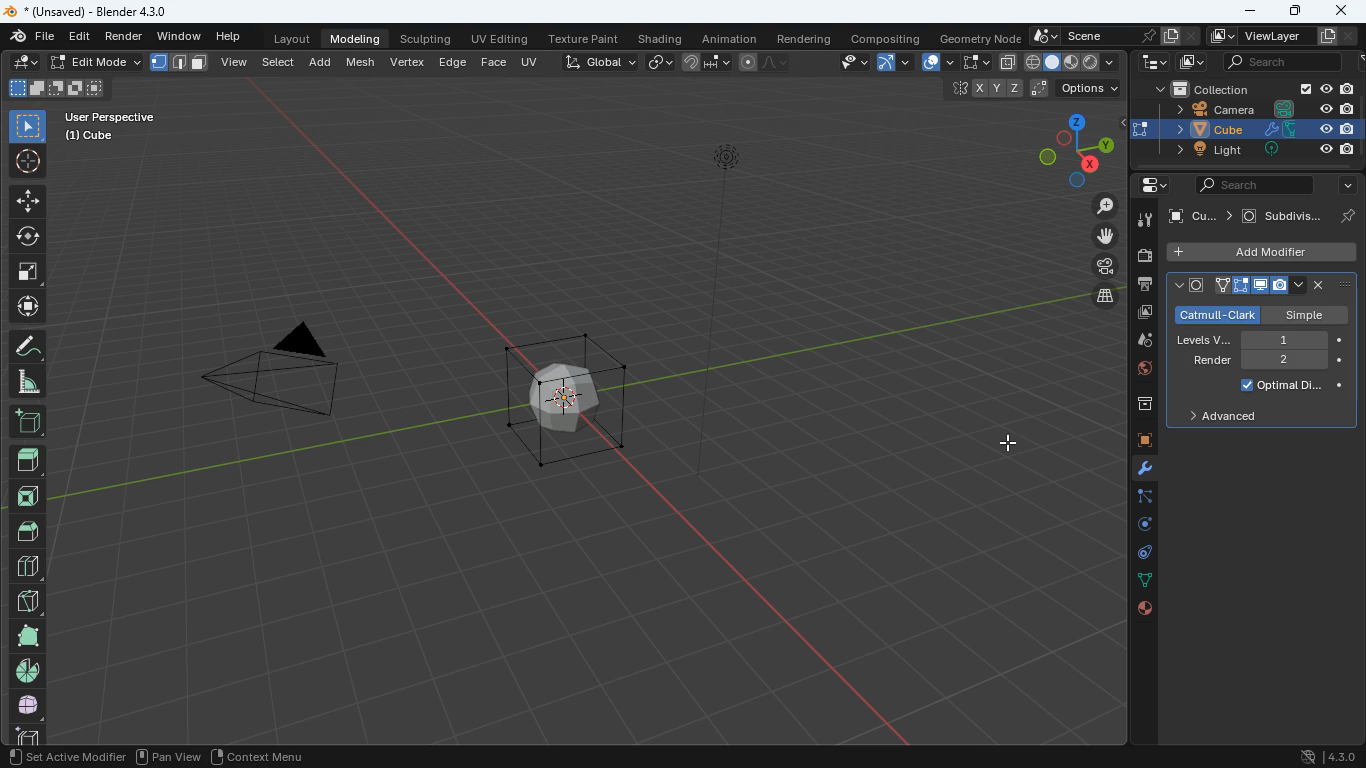  What do you see at coordinates (1287, 387) in the screenshot?
I see `optimal` at bounding box center [1287, 387].